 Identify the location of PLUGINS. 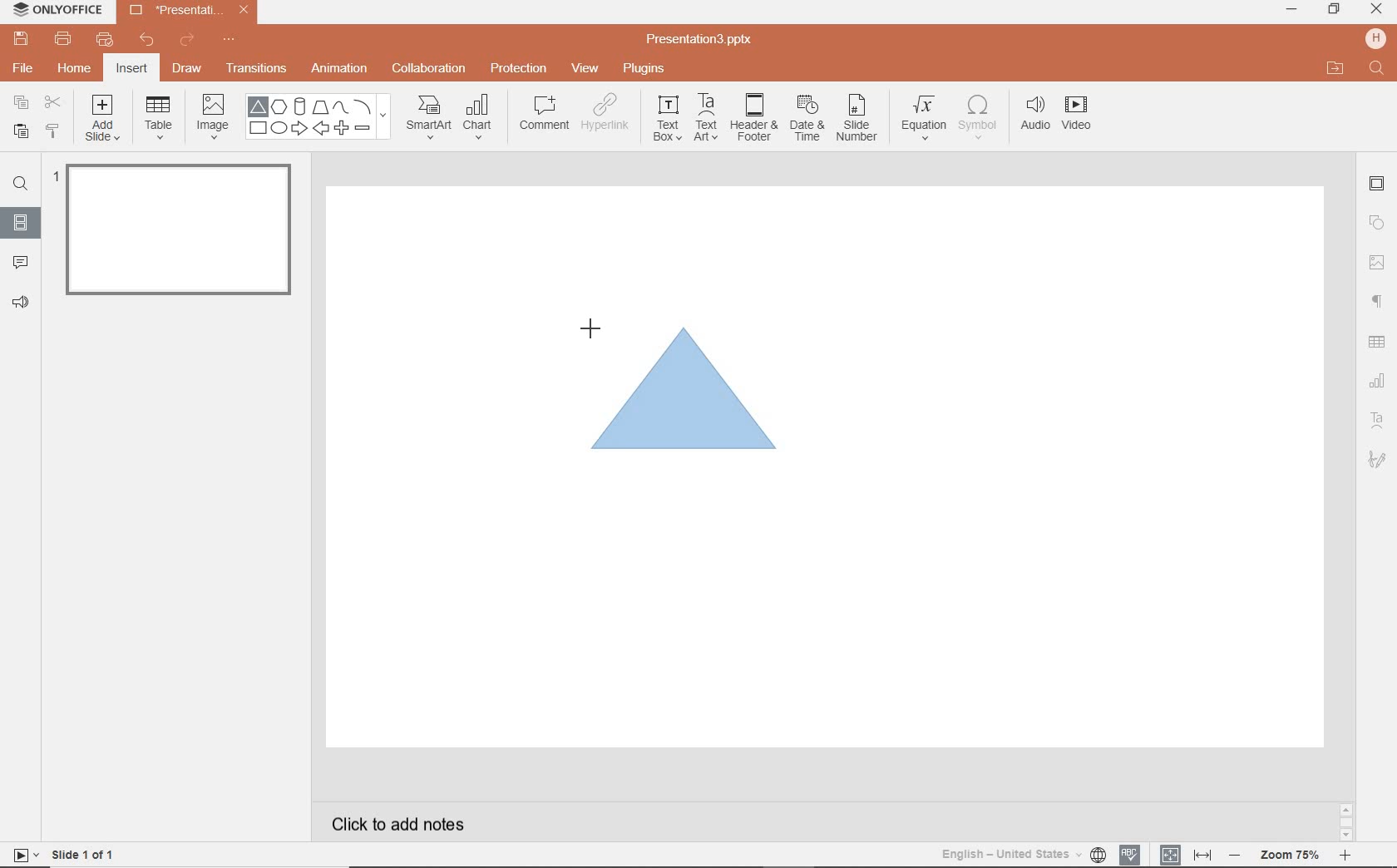
(646, 67).